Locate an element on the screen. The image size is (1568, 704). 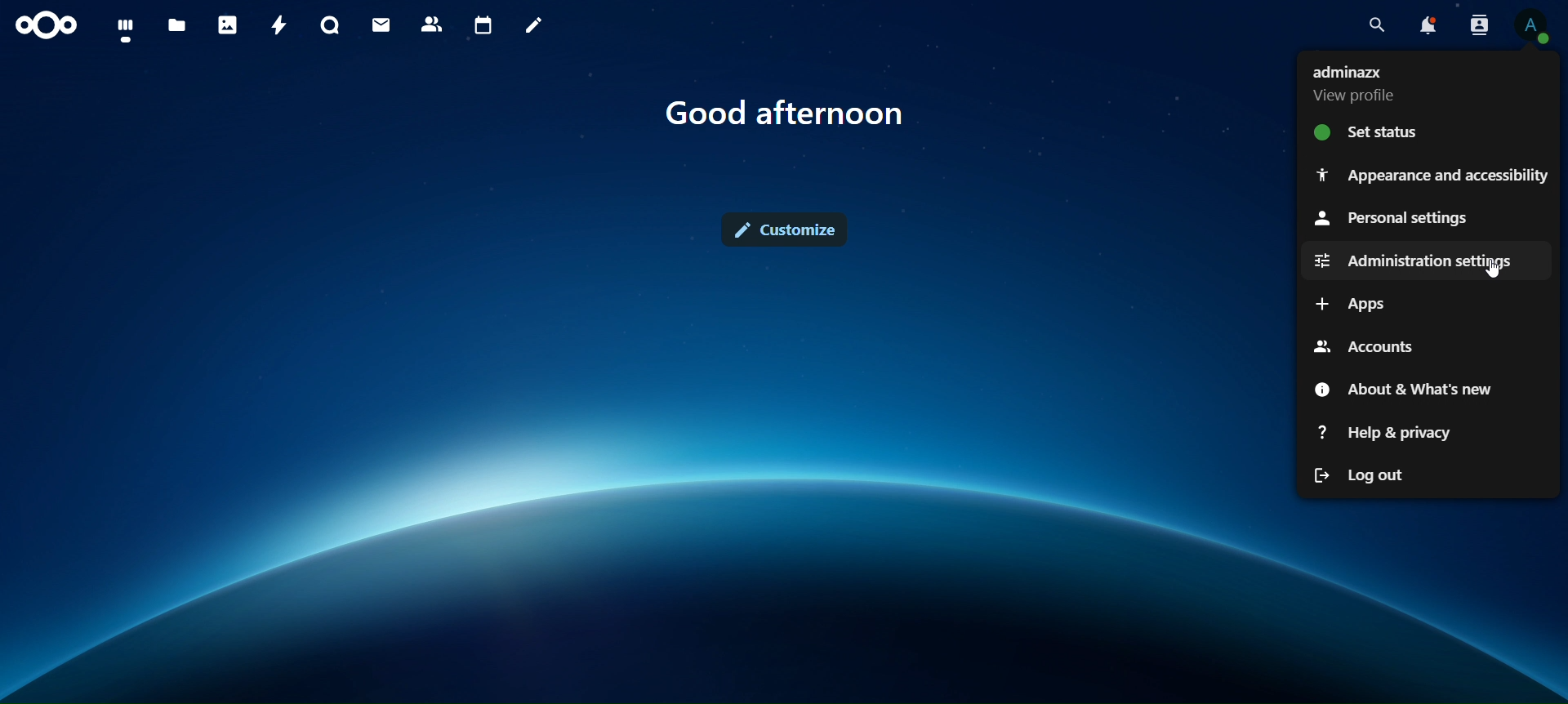
search is located at coordinates (1374, 22).